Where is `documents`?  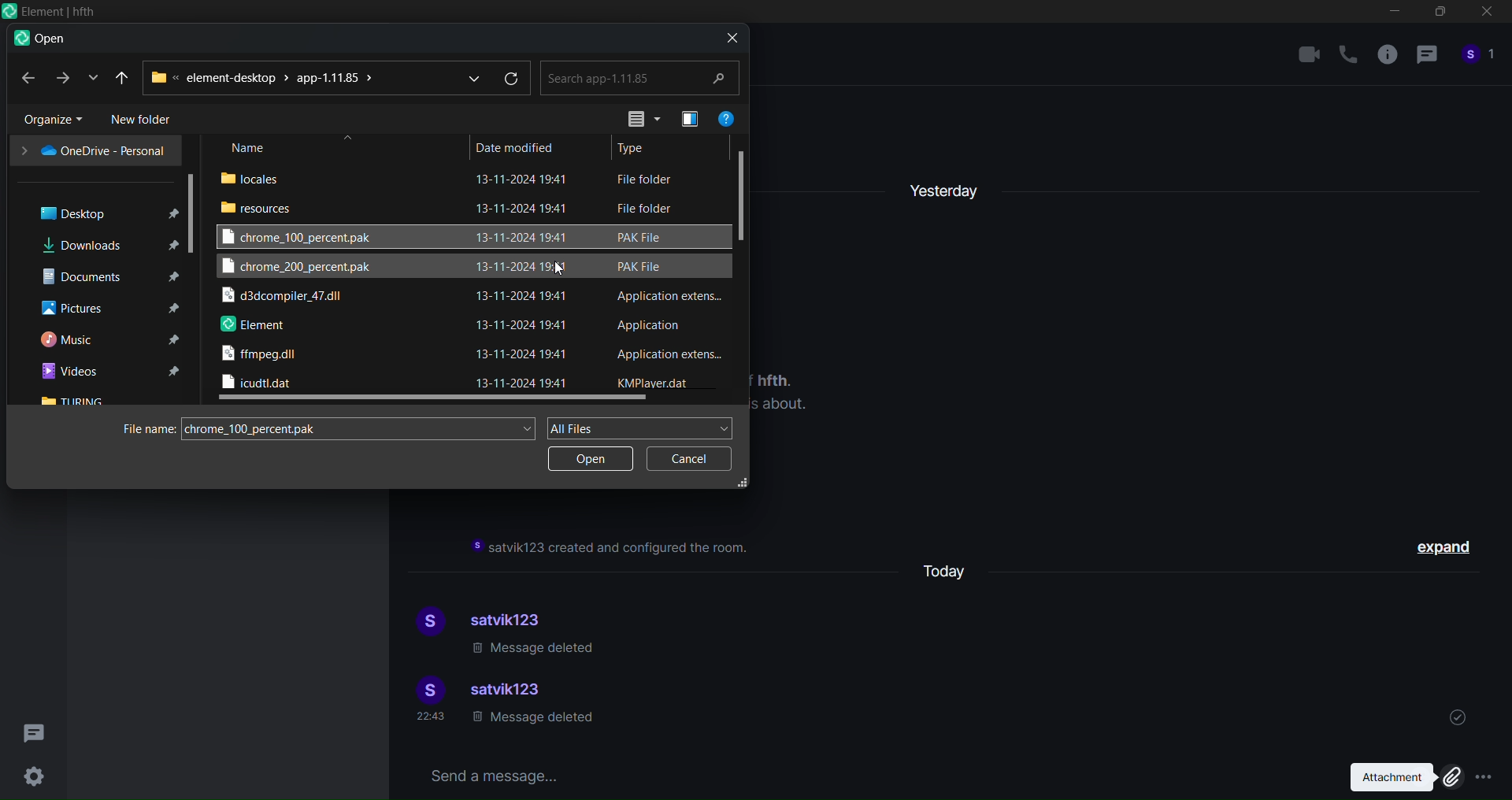
documents is located at coordinates (105, 276).